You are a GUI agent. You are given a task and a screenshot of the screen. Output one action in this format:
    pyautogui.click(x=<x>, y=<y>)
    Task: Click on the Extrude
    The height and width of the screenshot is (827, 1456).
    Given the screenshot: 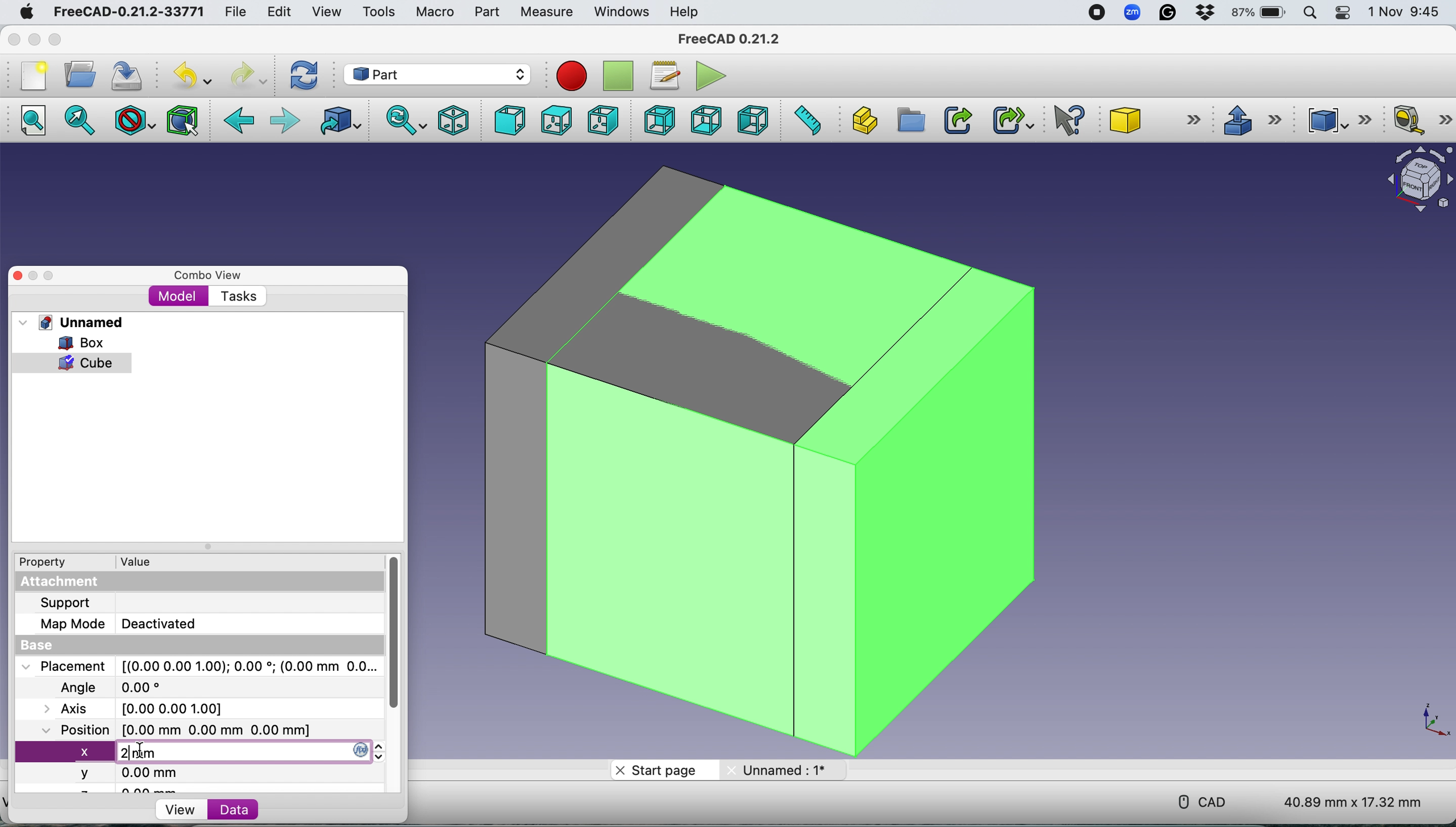 What is the action you would take?
    pyautogui.click(x=1251, y=119)
    